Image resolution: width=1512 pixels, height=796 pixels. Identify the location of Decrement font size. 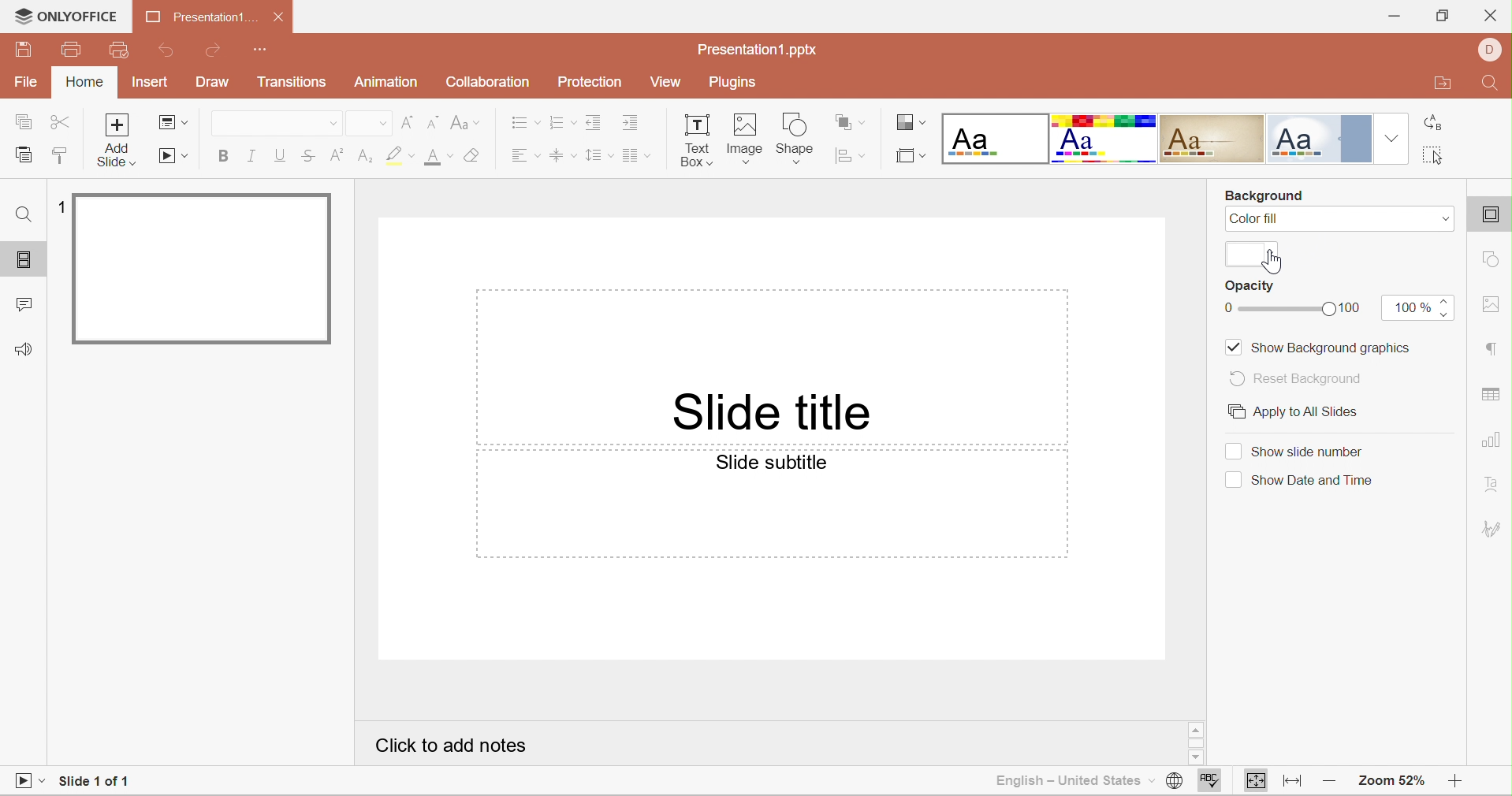
(431, 121).